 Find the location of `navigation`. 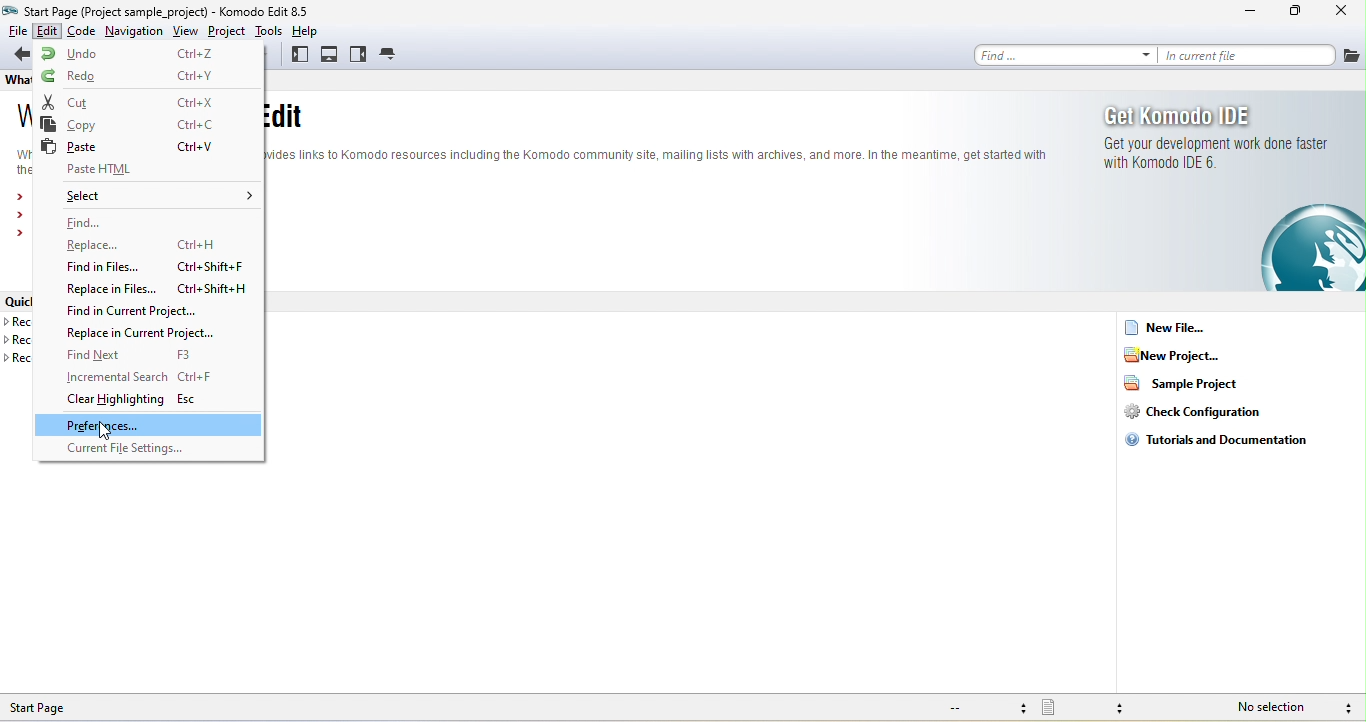

navigation is located at coordinates (134, 30).